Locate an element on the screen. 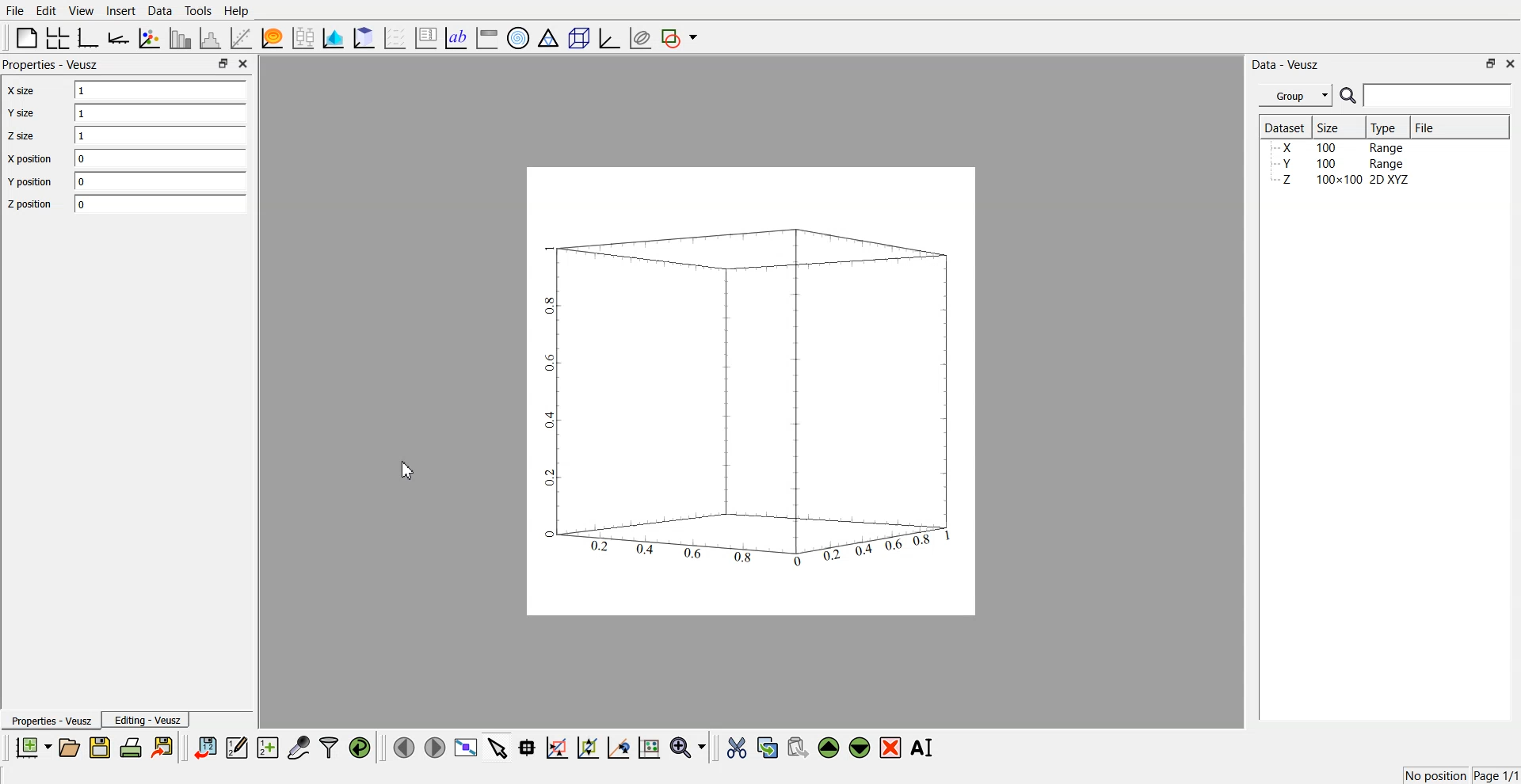 The height and width of the screenshot is (784, 1521). 1 is located at coordinates (161, 113).